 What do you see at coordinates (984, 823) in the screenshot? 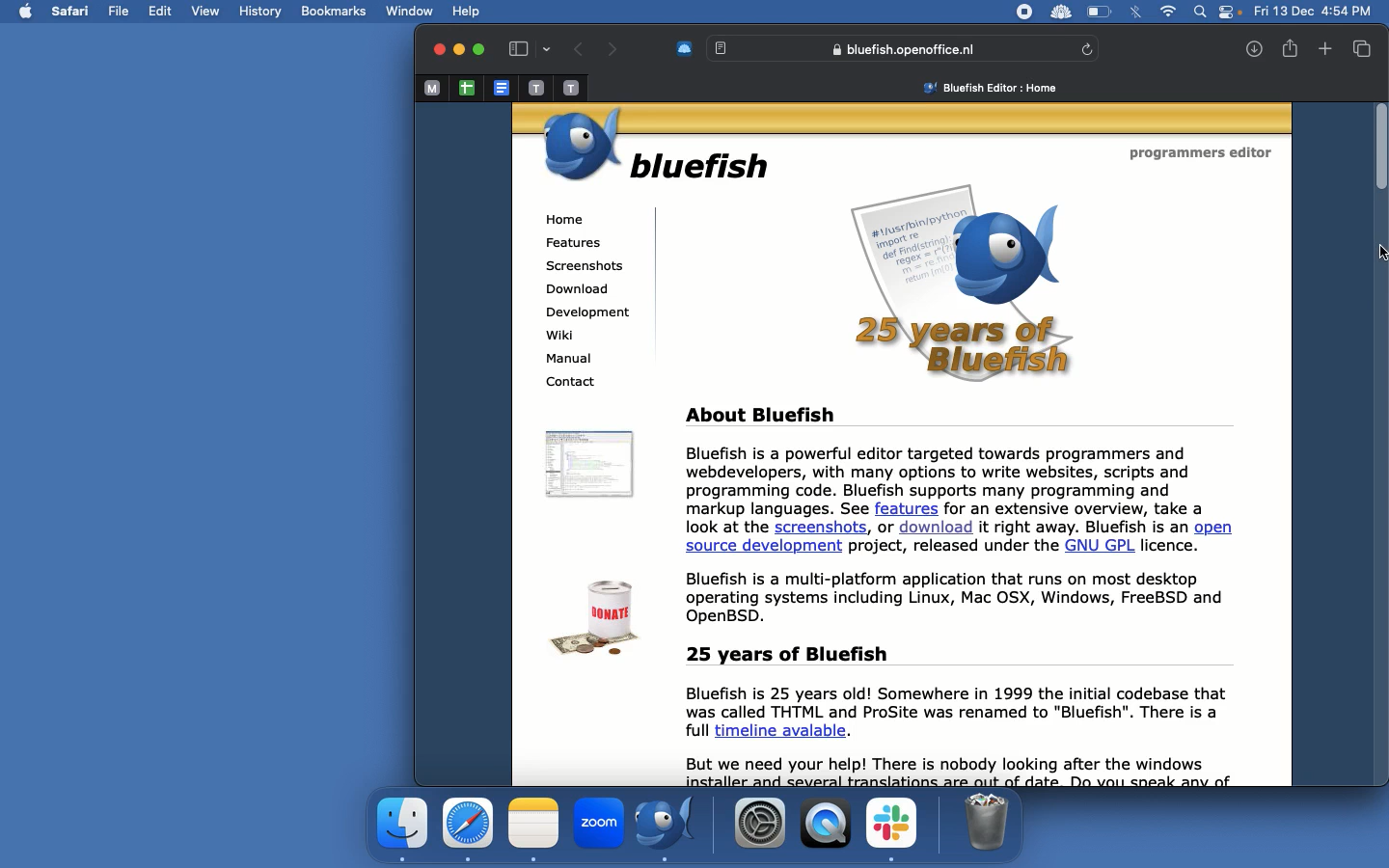
I see `Trash` at bounding box center [984, 823].